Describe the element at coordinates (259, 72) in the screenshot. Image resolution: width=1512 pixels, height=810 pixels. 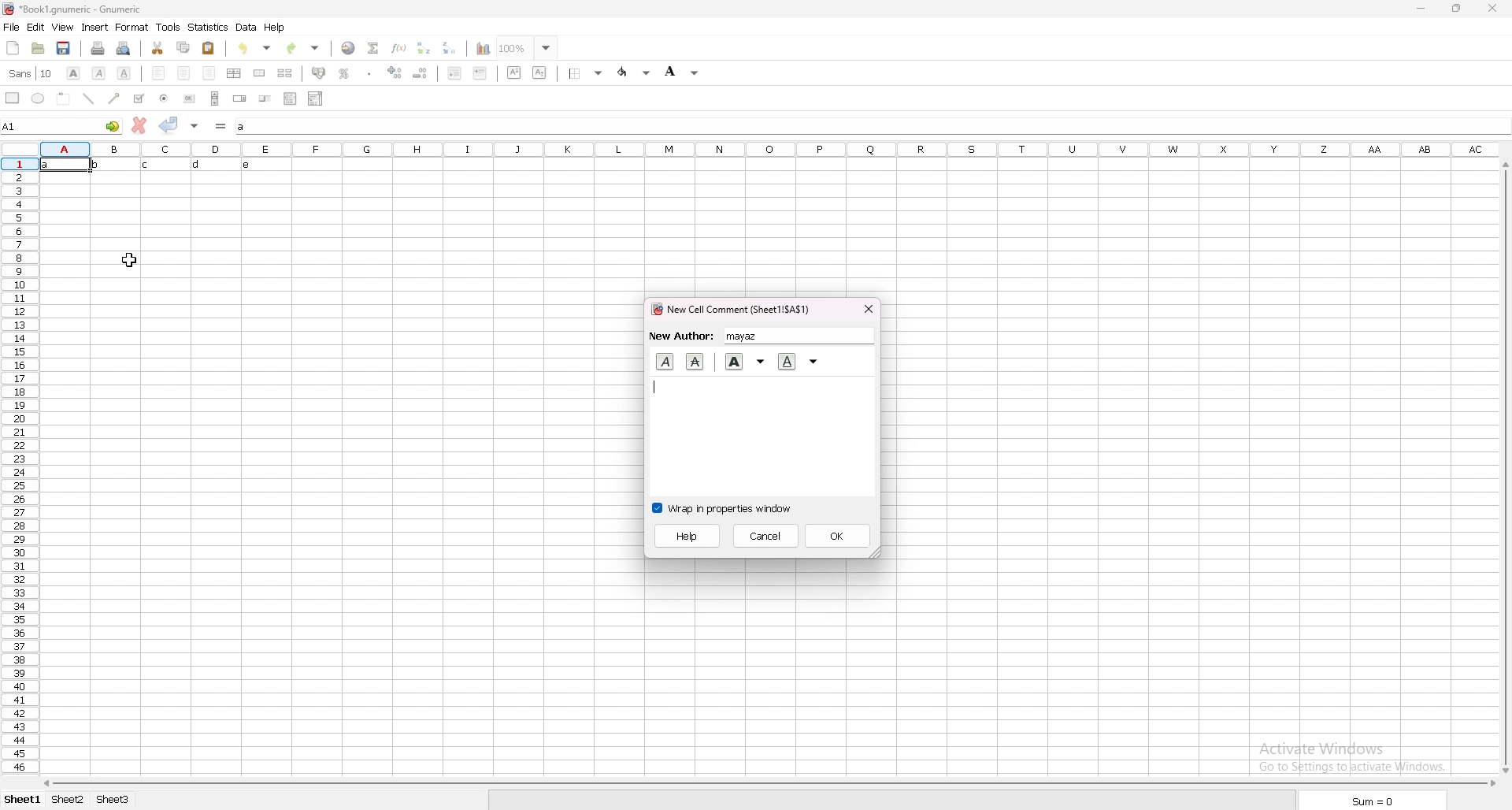
I see `merge cells` at that location.